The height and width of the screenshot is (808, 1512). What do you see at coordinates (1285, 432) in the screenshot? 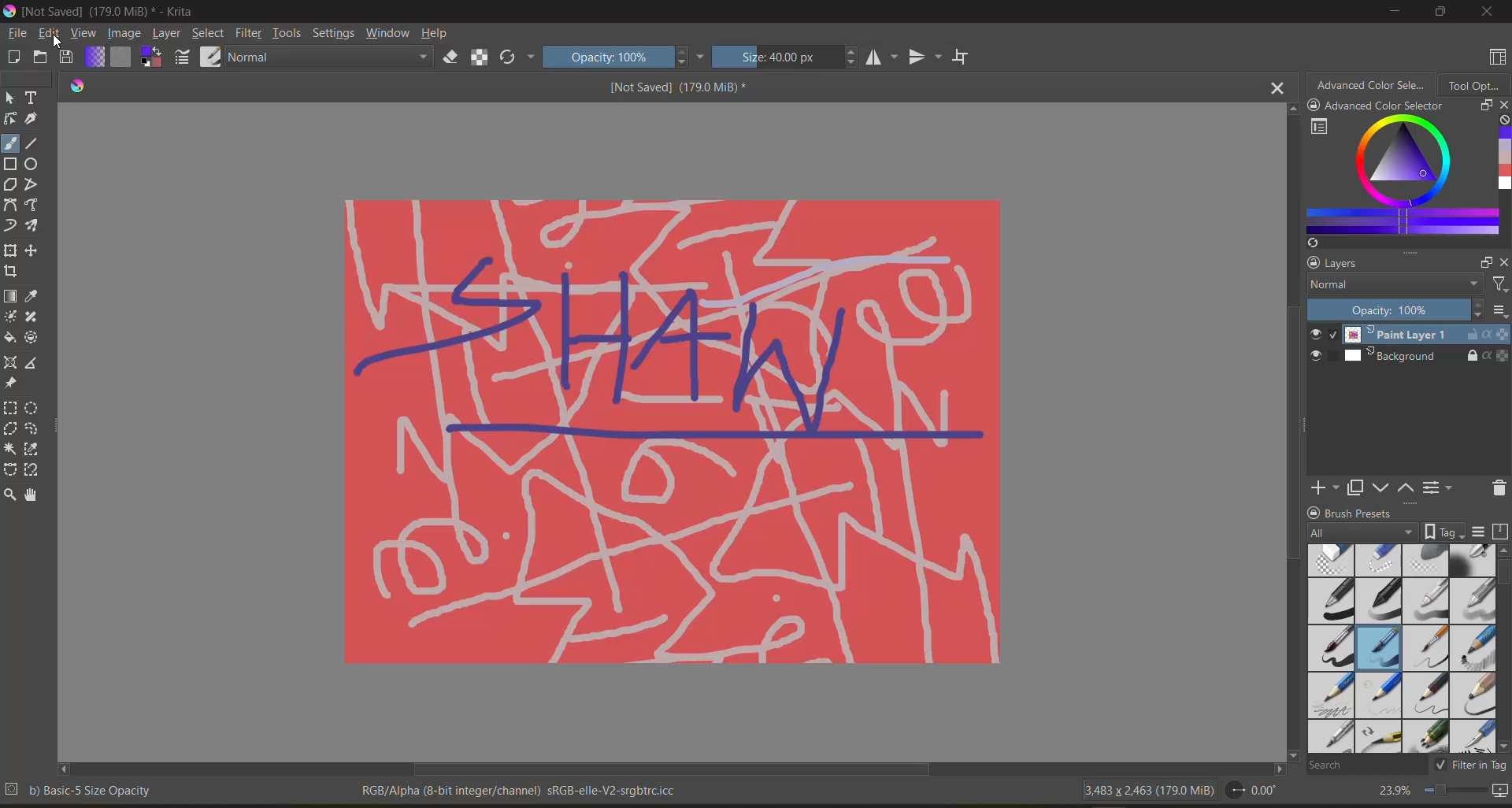
I see `vertical scroll bar` at bounding box center [1285, 432].